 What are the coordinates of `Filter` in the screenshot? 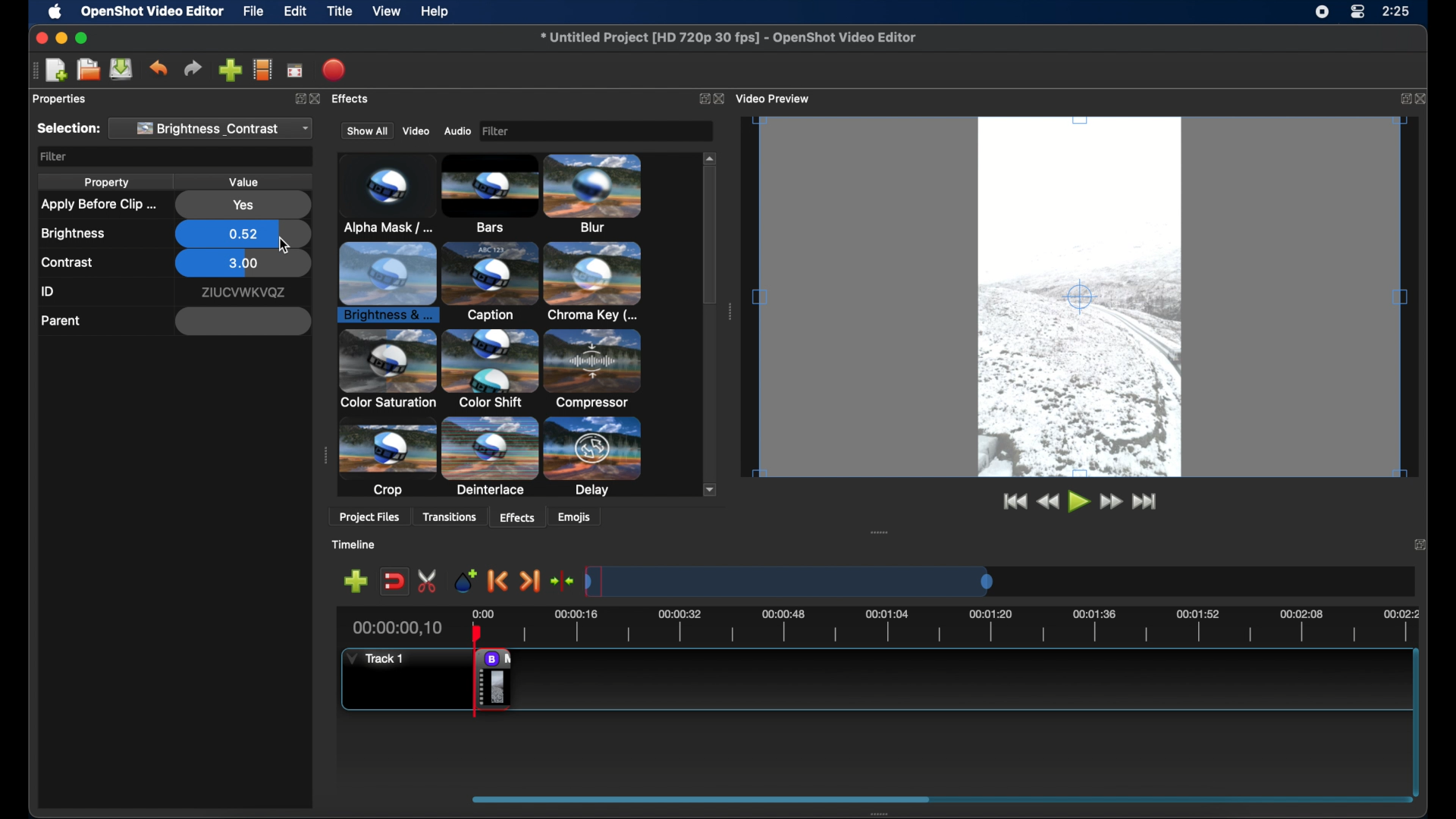 It's located at (592, 130).